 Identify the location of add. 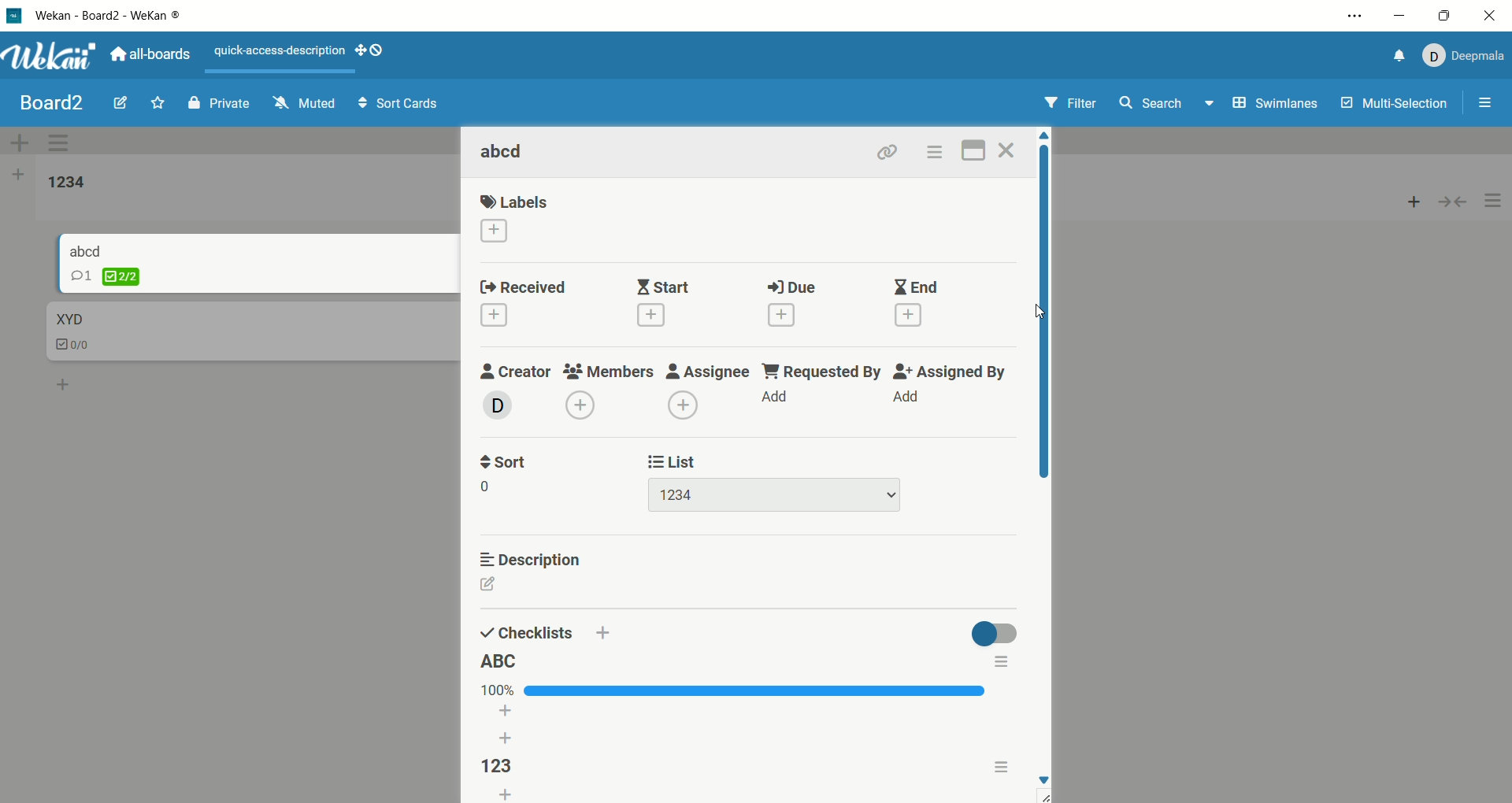
(1414, 198).